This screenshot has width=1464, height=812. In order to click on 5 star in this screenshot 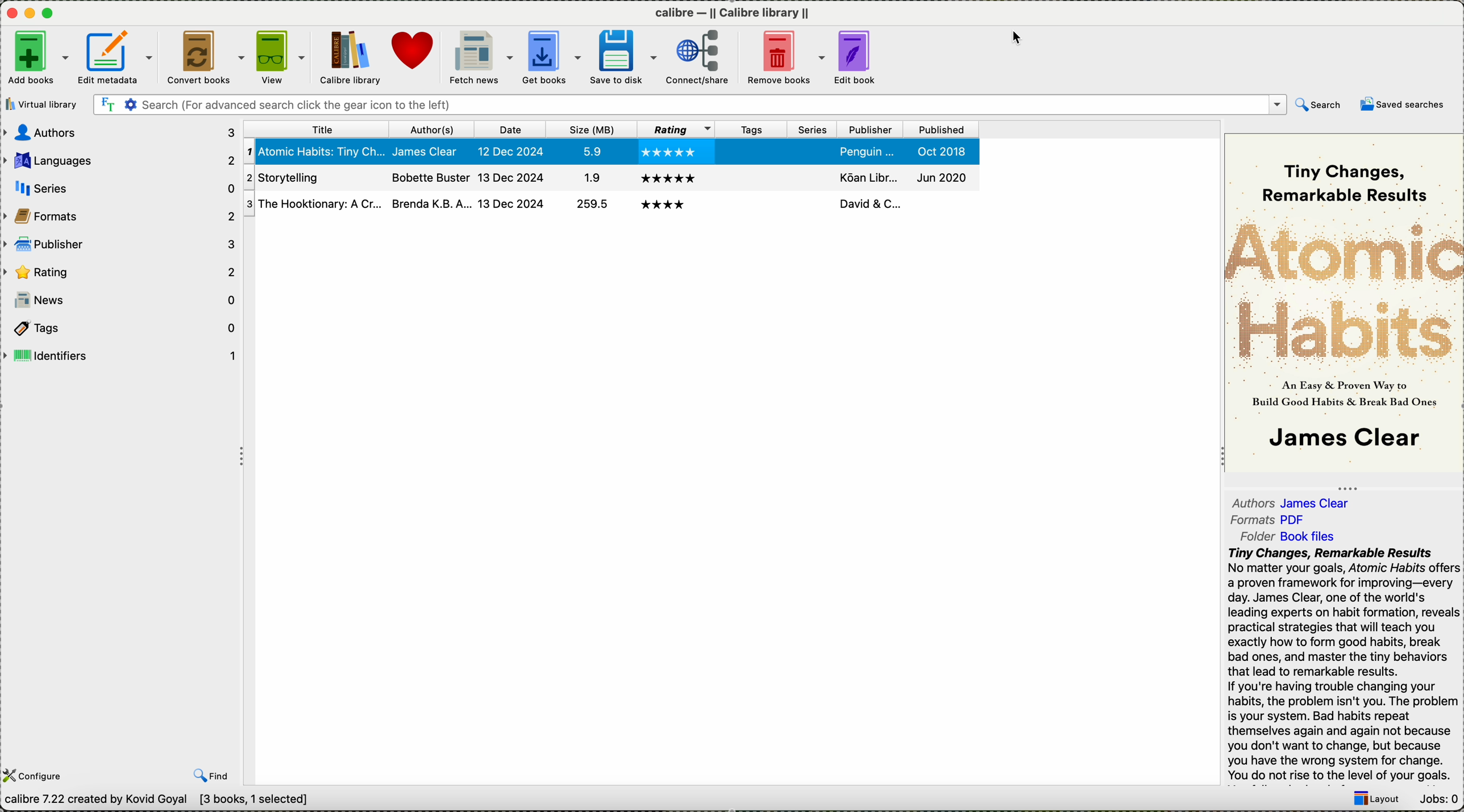, I will do `click(665, 204)`.